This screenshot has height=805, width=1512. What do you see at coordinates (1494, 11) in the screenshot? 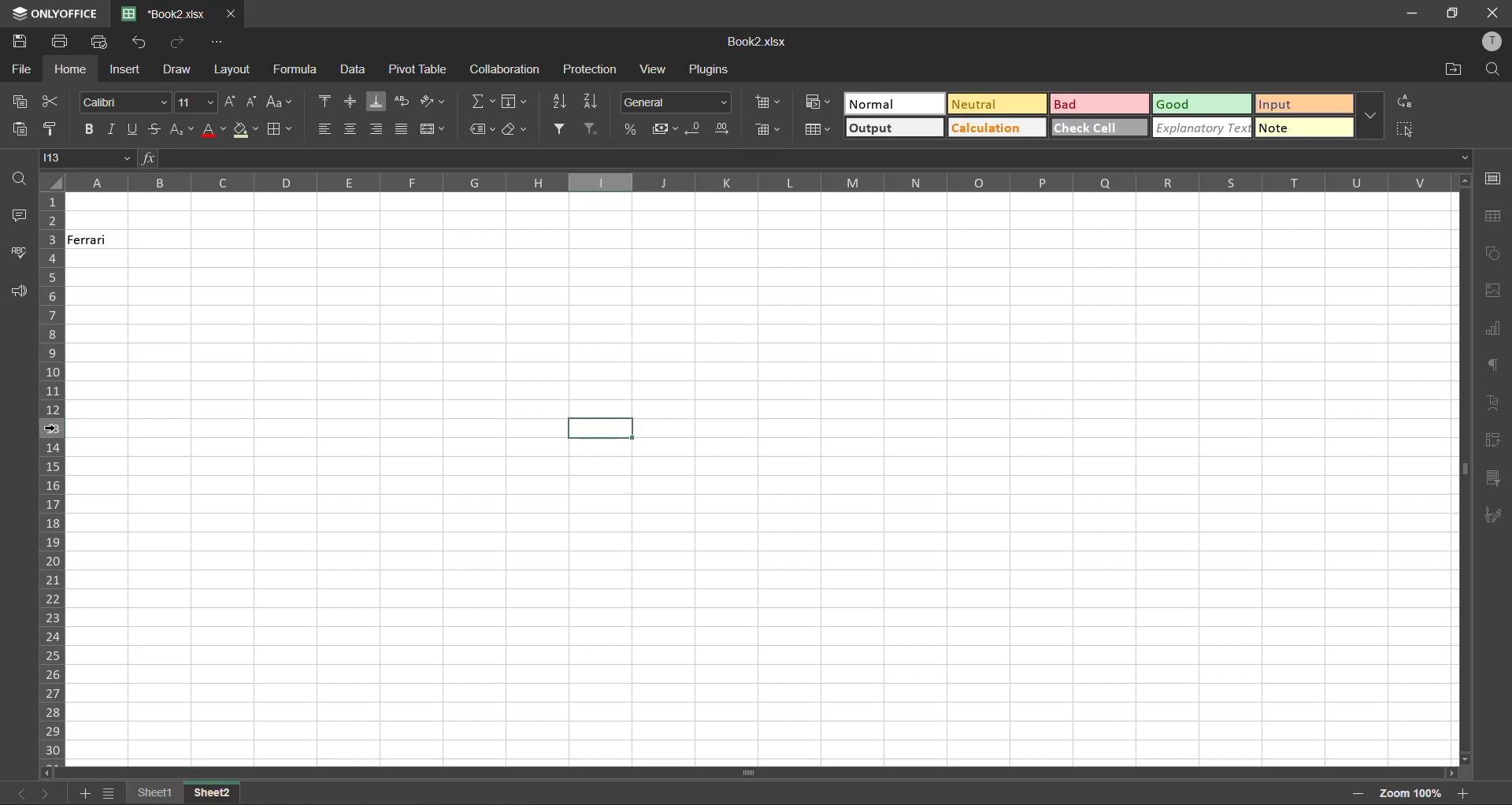
I see `close` at bounding box center [1494, 11].